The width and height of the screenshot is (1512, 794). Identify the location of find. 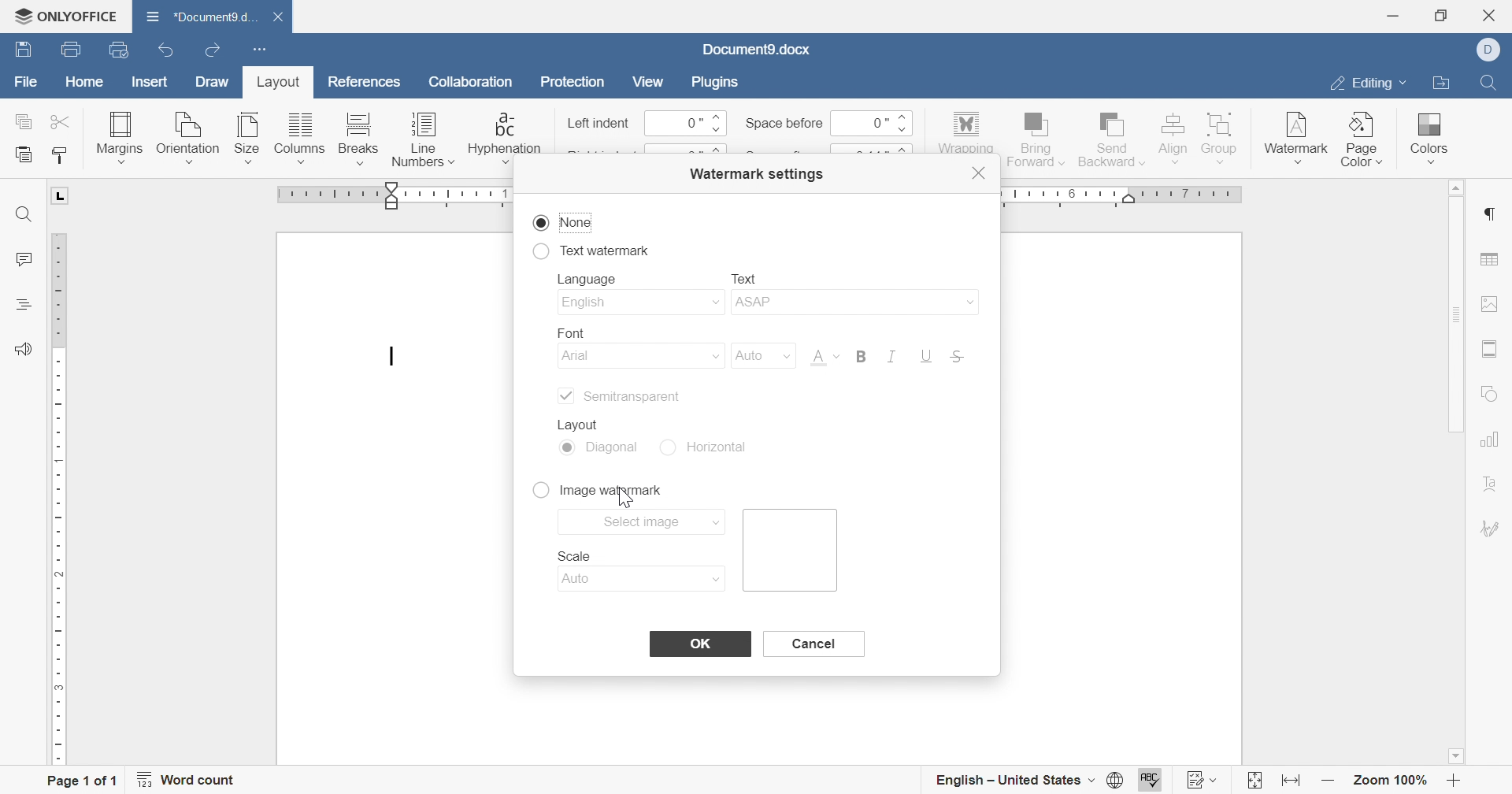
(1487, 80).